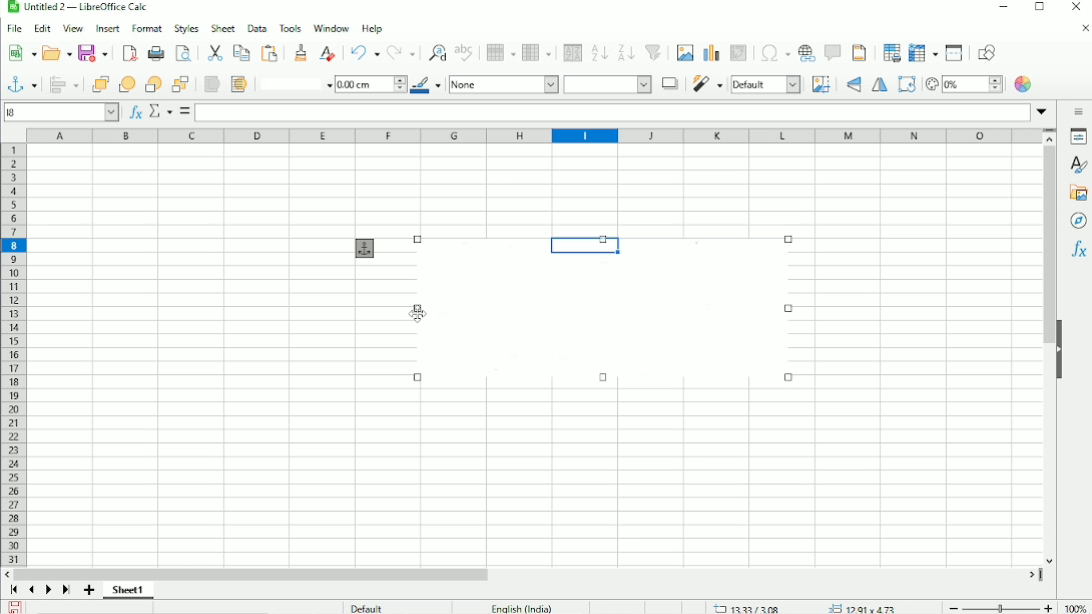  I want to click on Spell check, so click(465, 52).